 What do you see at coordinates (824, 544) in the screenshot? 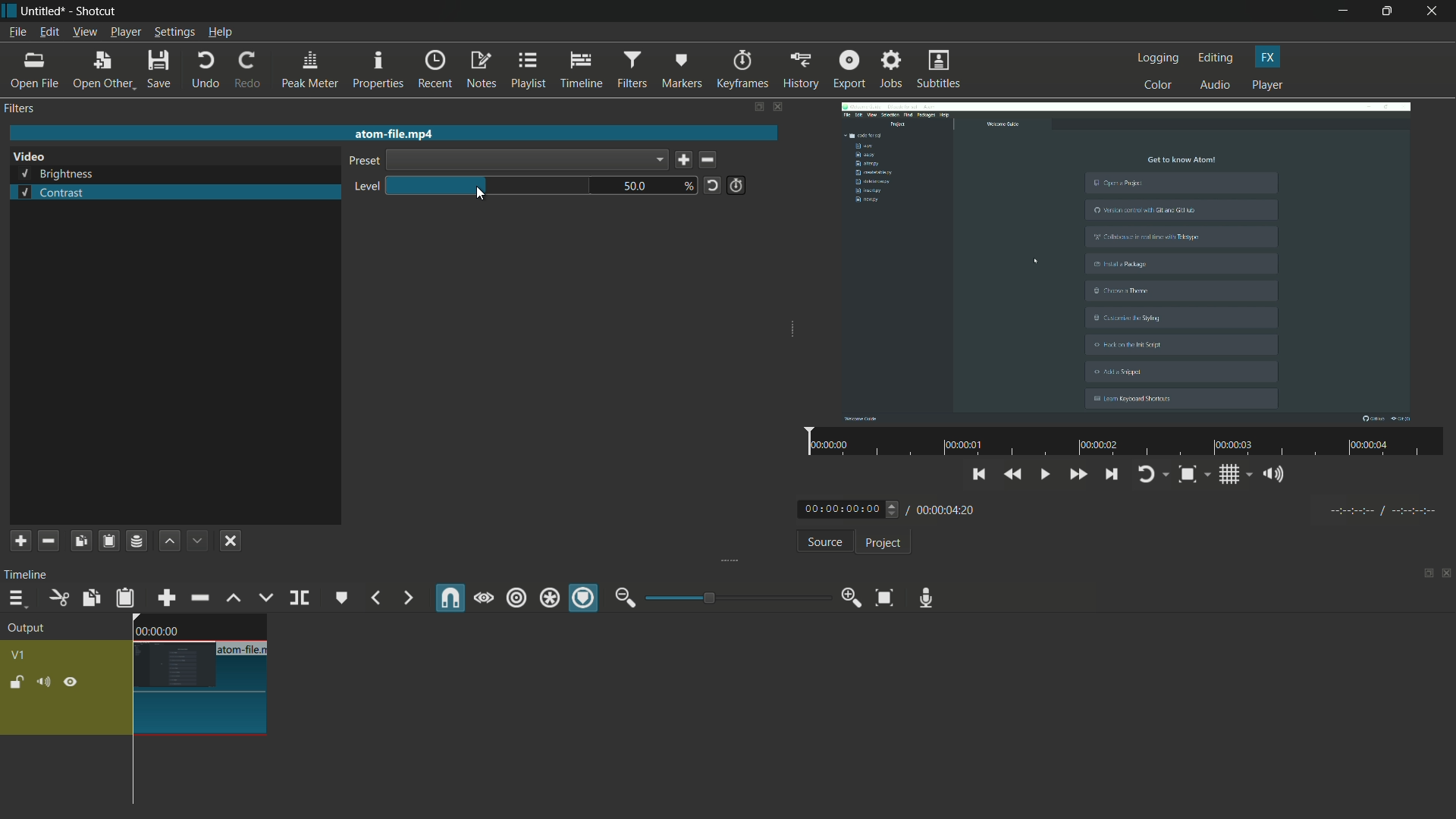
I see `source` at bounding box center [824, 544].